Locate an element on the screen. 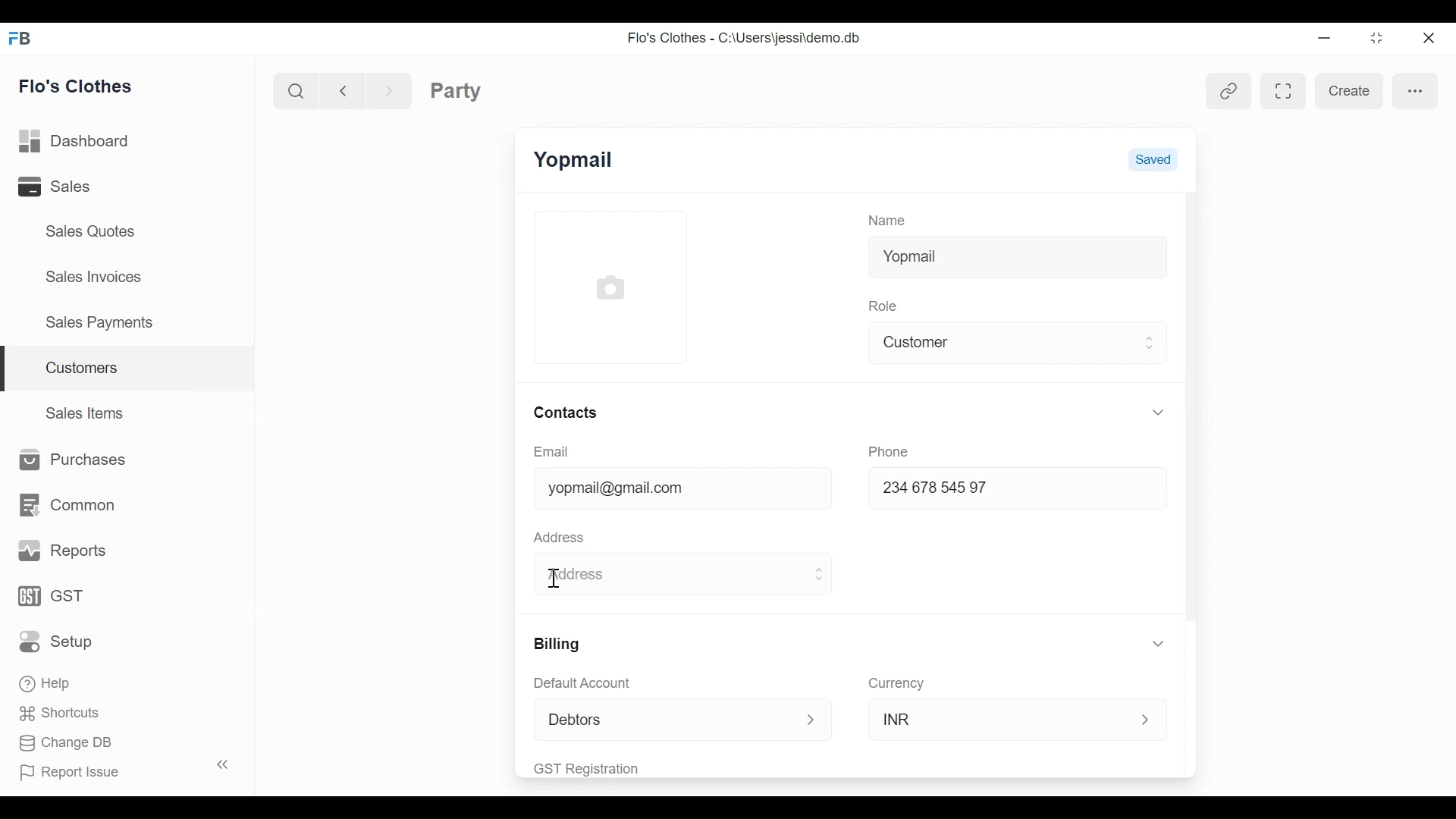  Currency is located at coordinates (899, 682).